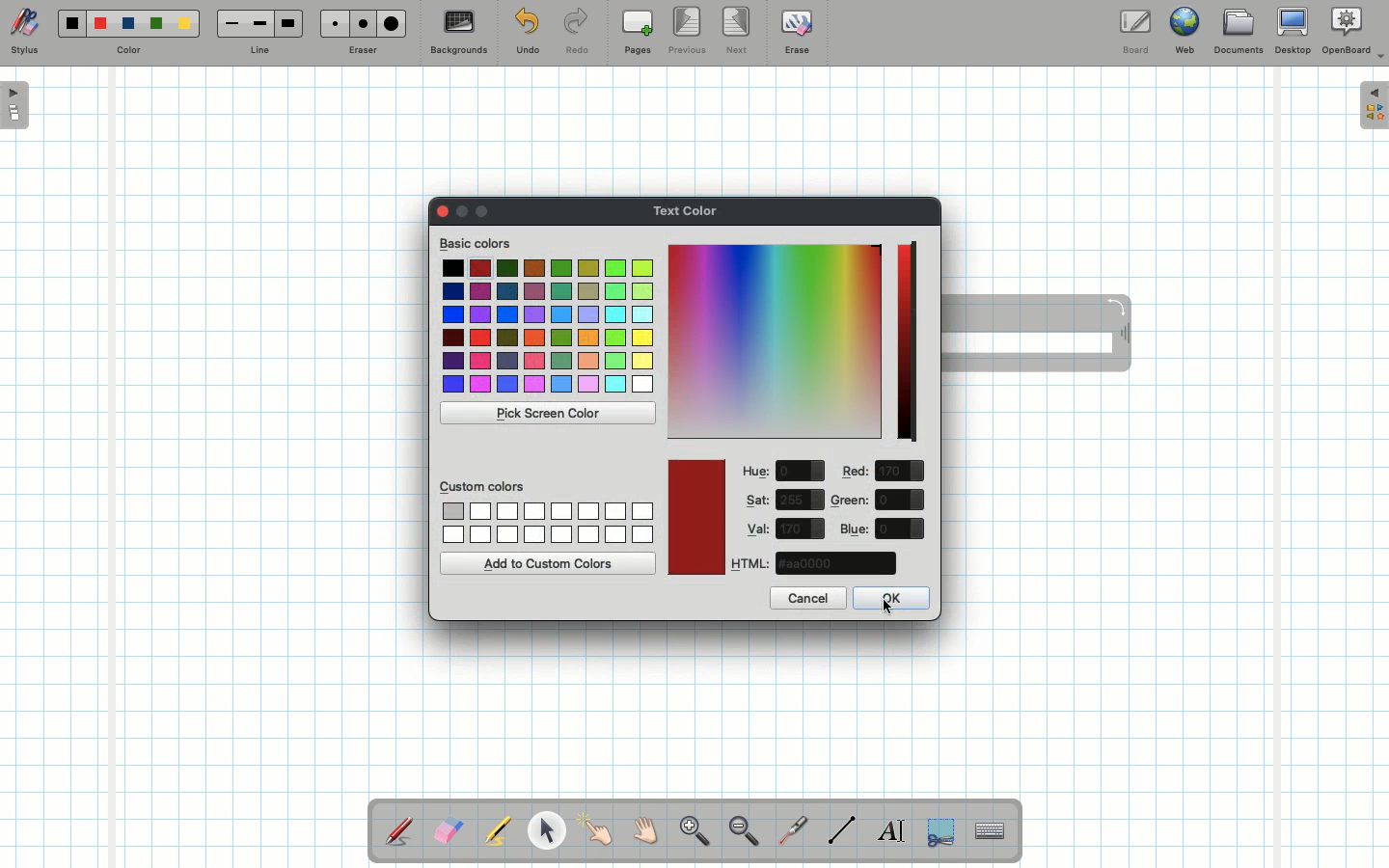  I want to click on Eraser, so click(448, 832).